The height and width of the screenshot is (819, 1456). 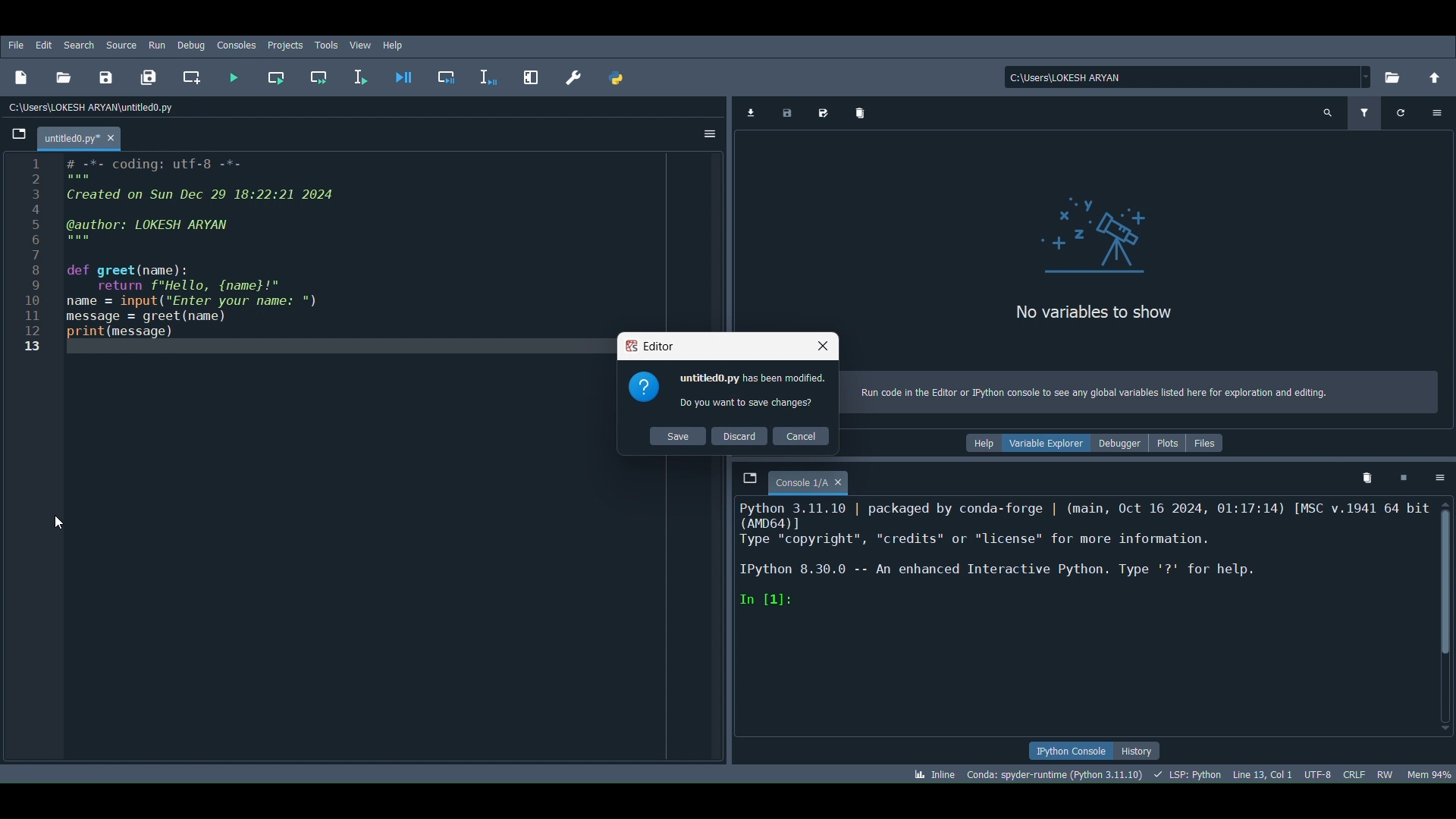 I want to click on Spyder Editor, so click(x=652, y=344).